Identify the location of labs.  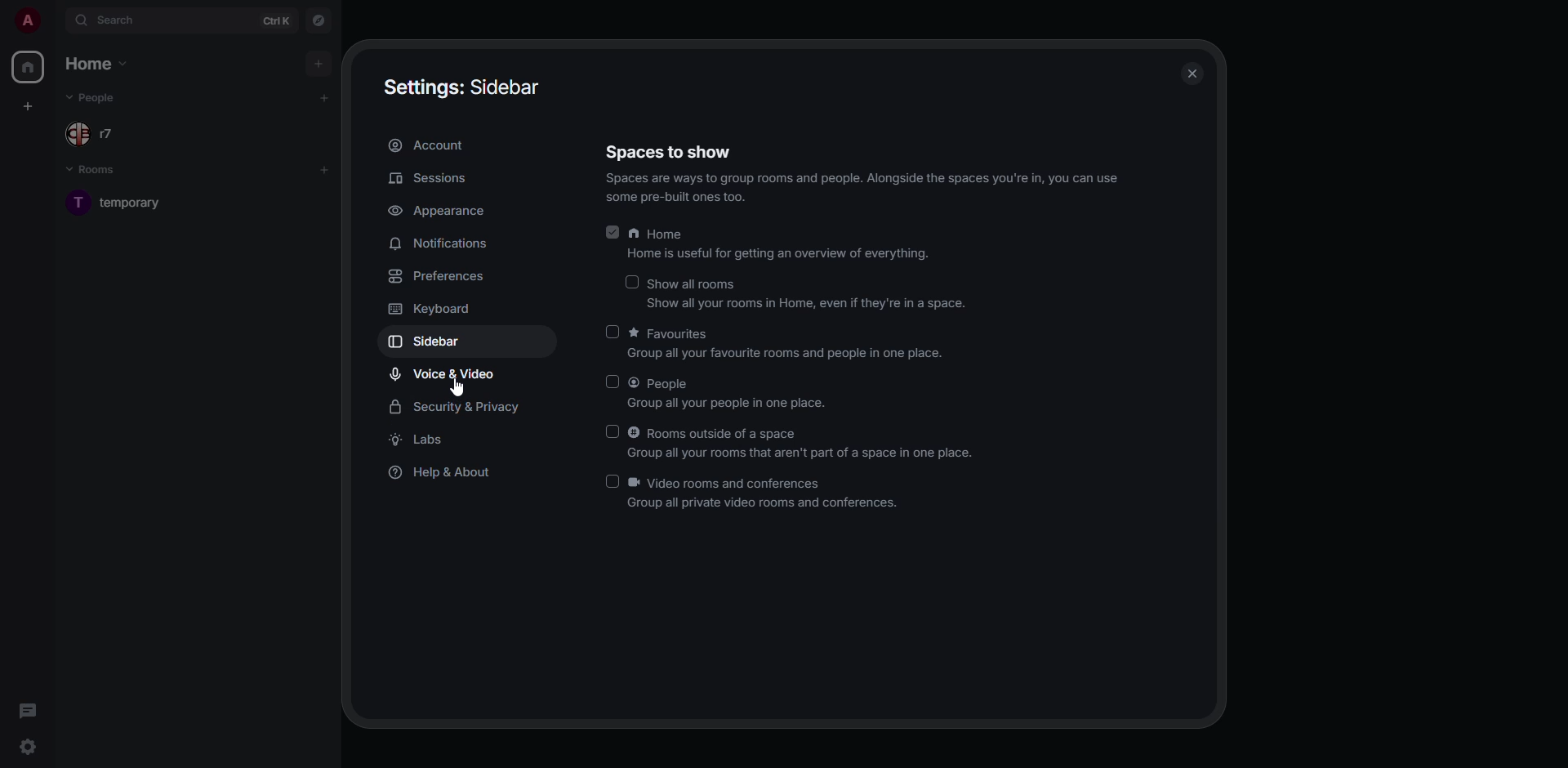
(423, 440).